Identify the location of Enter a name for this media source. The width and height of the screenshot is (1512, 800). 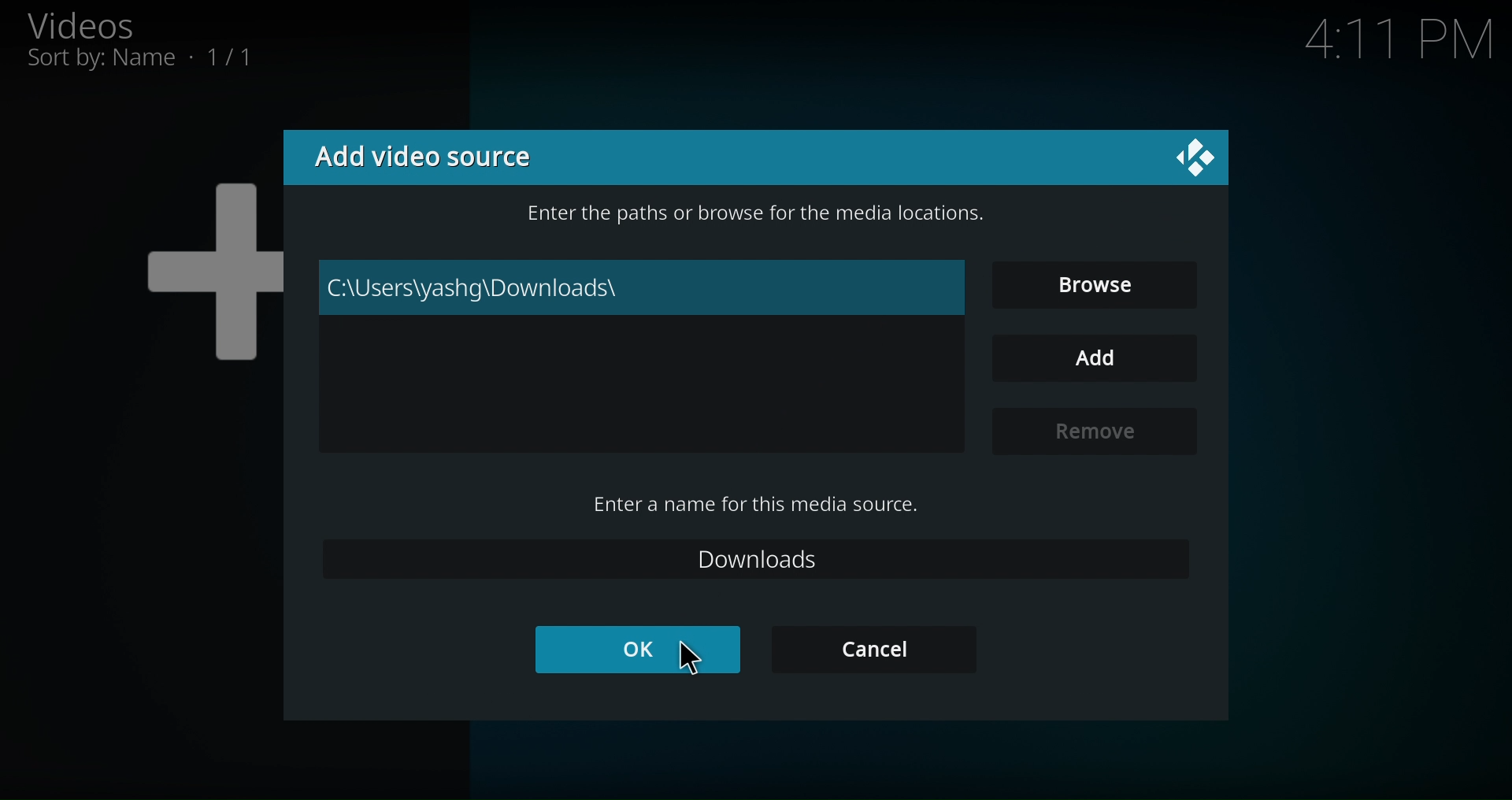
(751, 504).